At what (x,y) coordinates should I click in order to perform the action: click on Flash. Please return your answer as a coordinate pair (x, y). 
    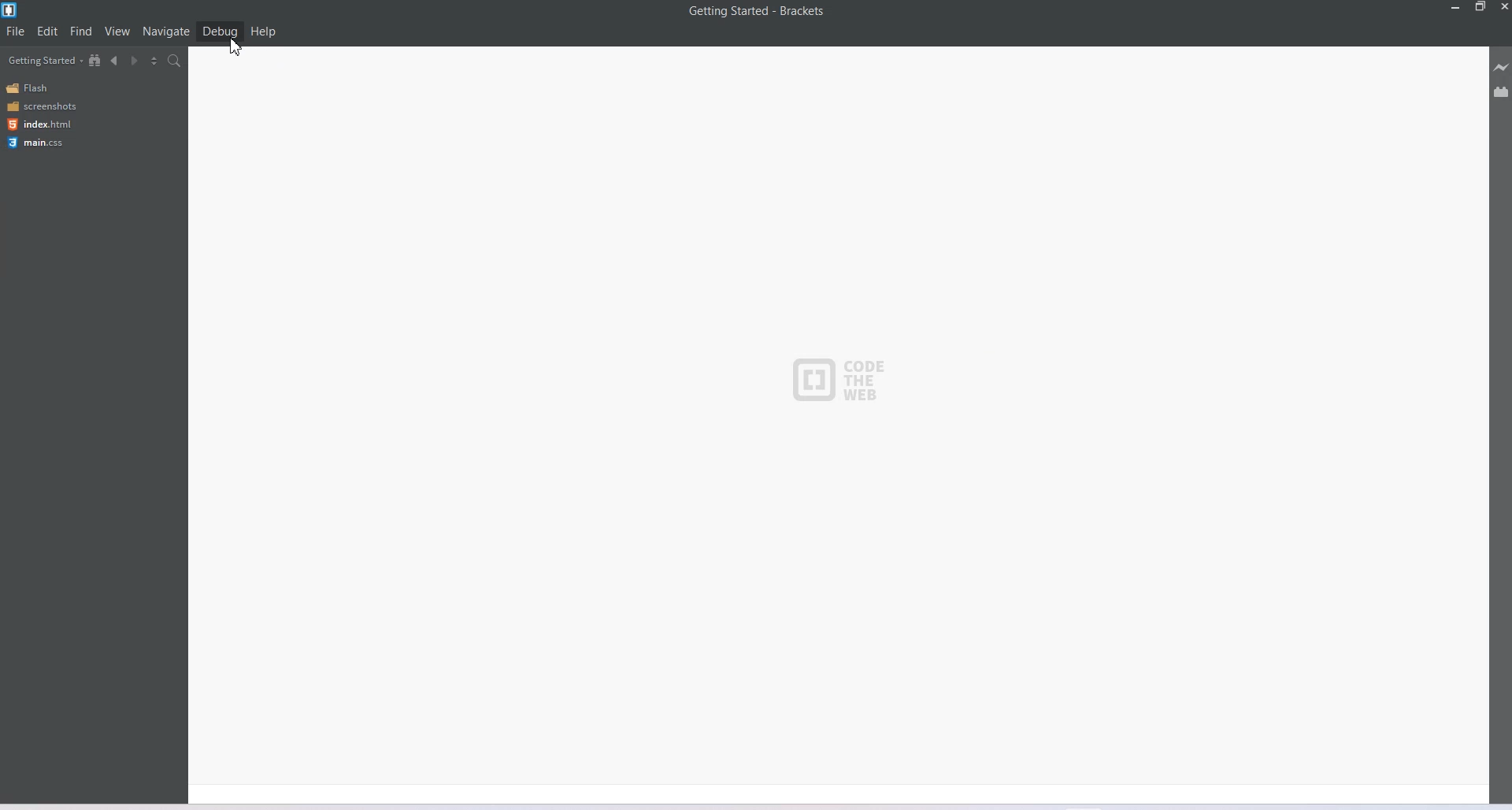
    Looking at the image, I should click on (30, 88).